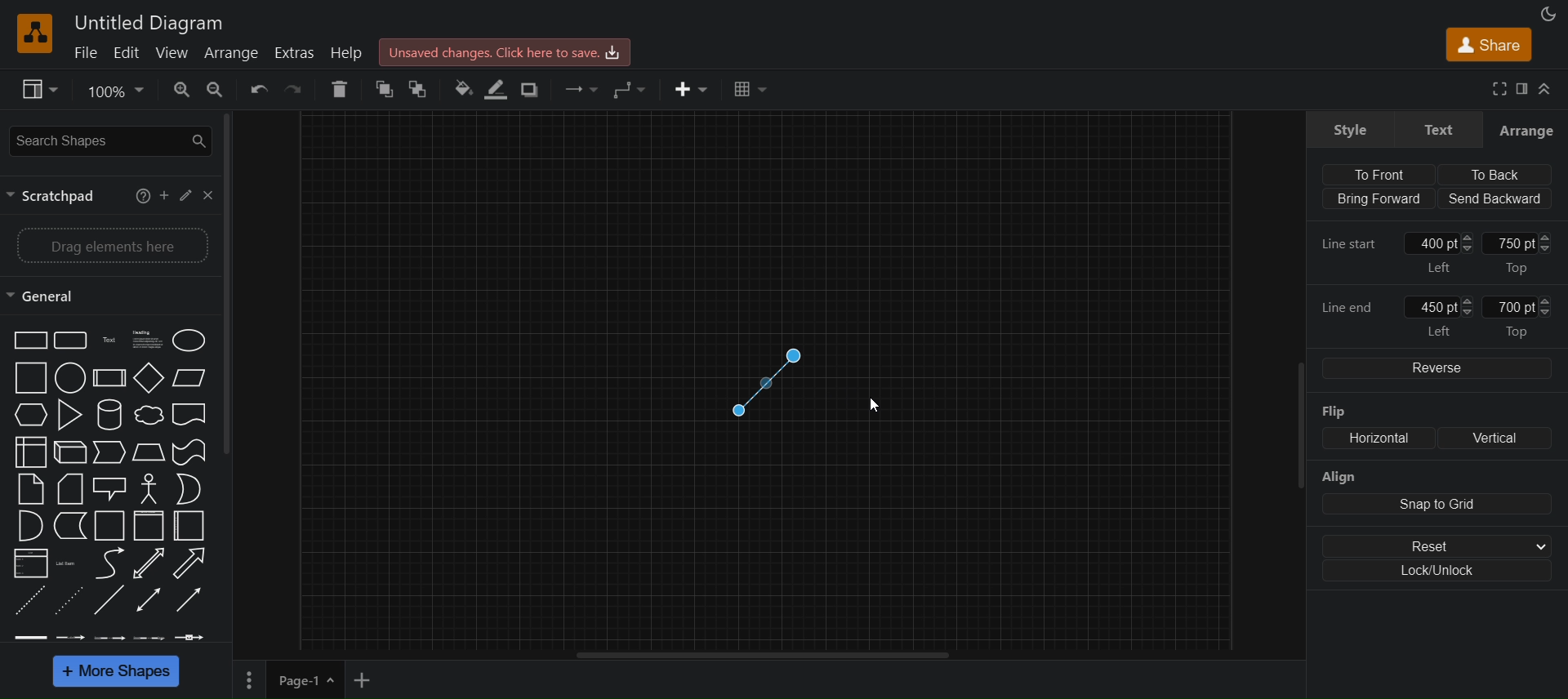 The image size is (1568, 699). What do you see at coordinates (580, 87) in the screenshot?
I see `connections` at bounding box center [580, 87].